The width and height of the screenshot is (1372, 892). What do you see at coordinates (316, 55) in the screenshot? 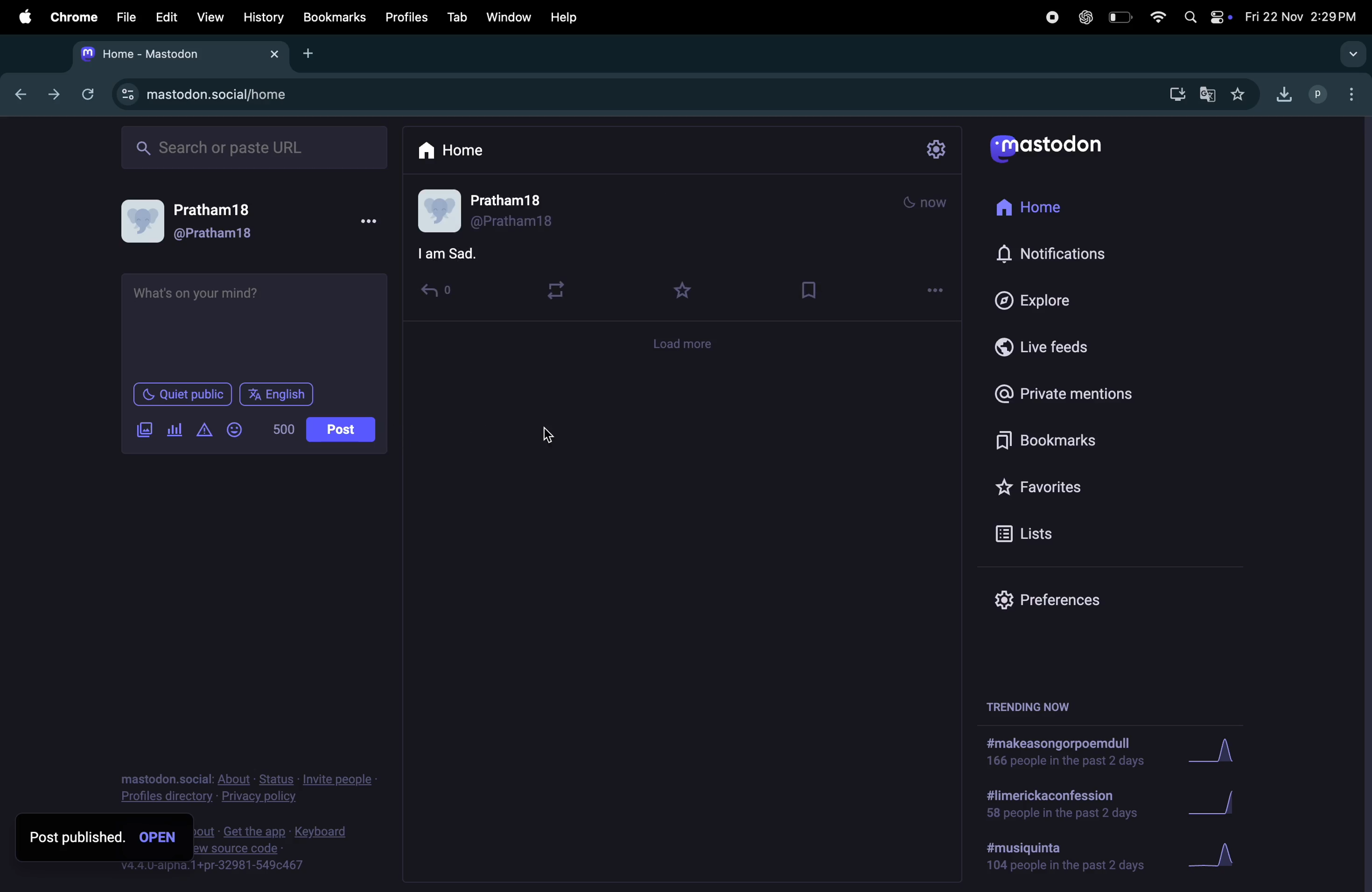
I see `add tab` at bounding box center [316, 55].